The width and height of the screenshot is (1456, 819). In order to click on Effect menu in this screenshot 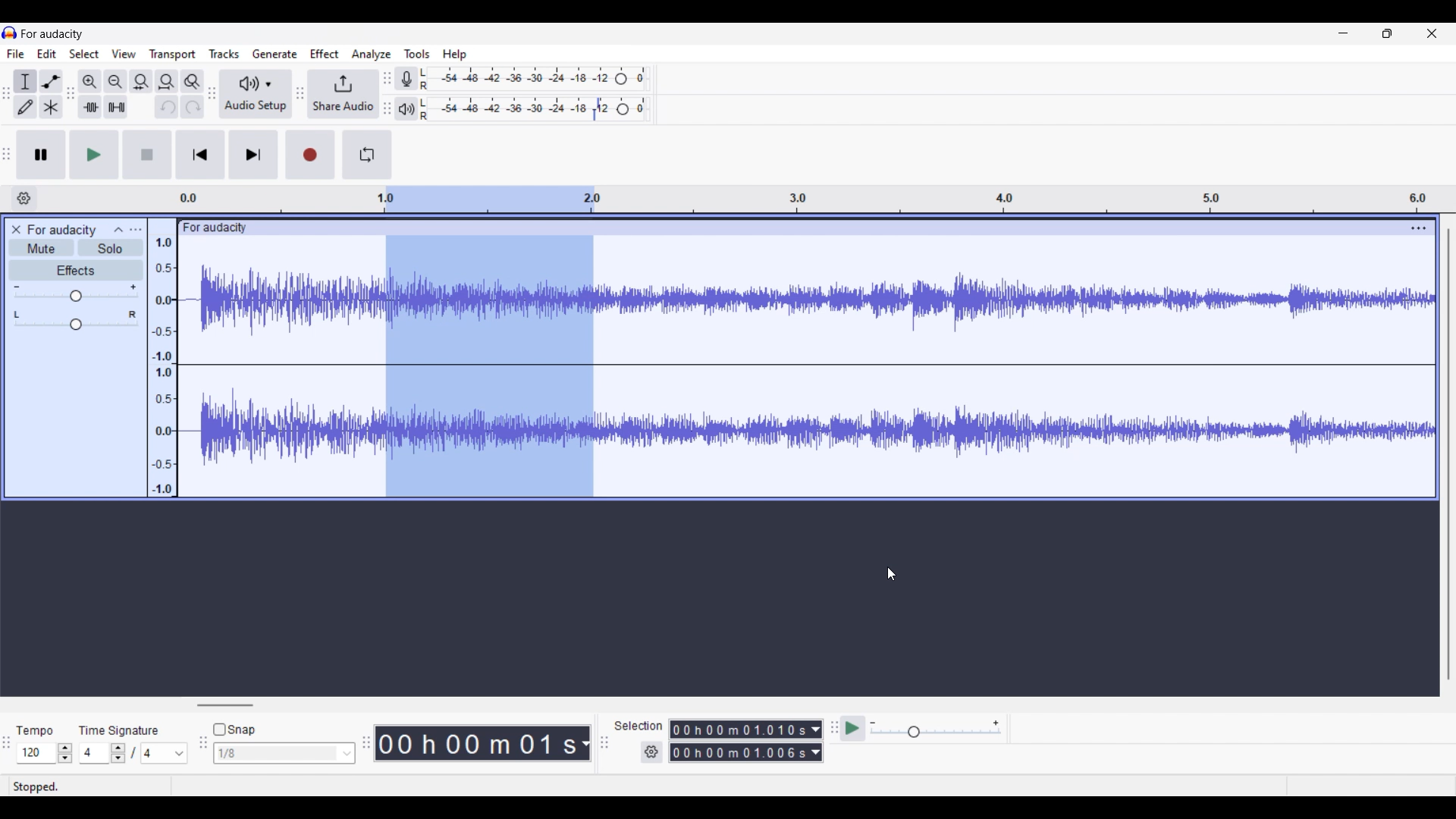, I will do `click(324, 54)`.